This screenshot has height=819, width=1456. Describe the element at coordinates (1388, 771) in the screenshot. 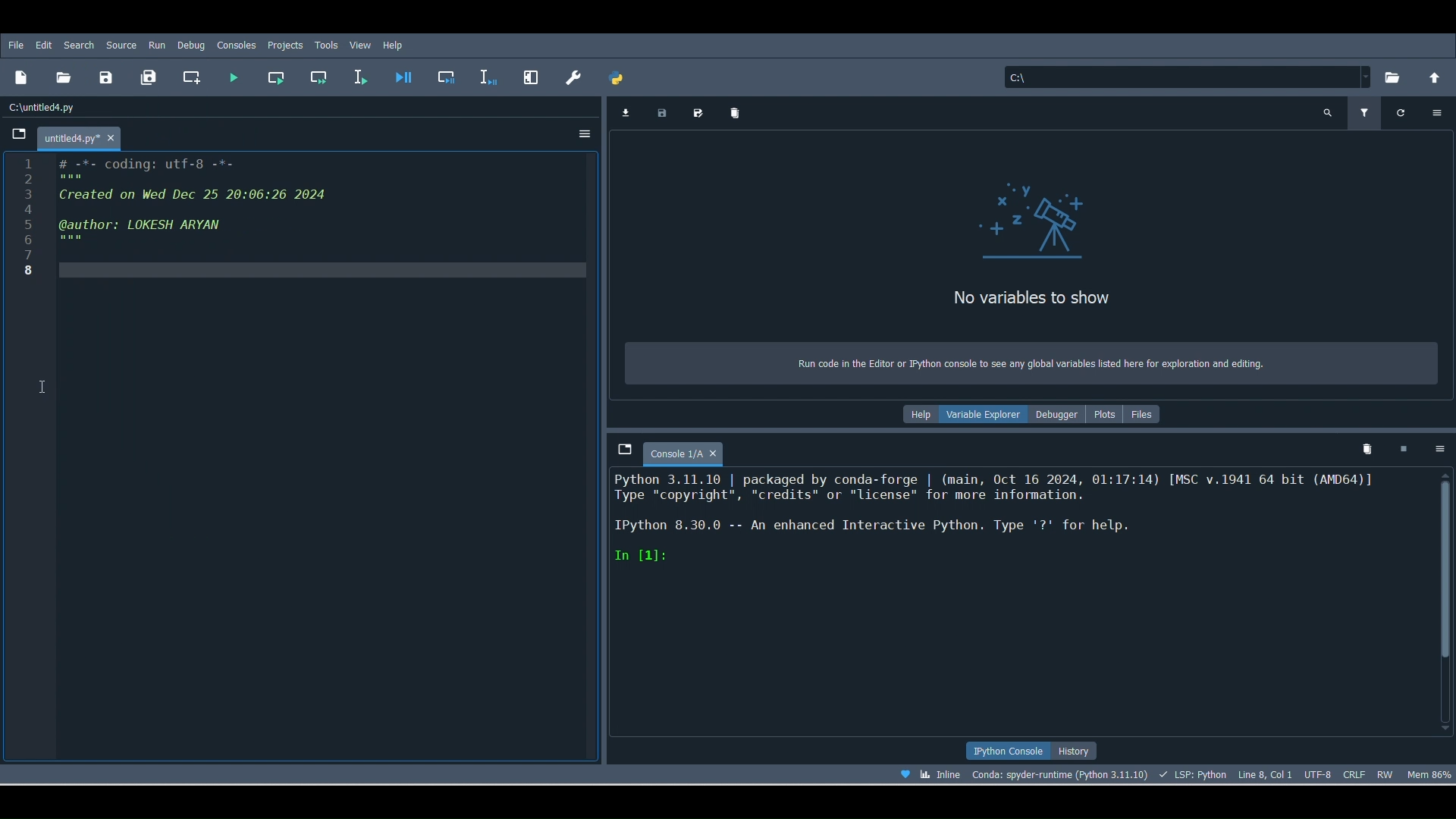

I see `File permissions` at that location.